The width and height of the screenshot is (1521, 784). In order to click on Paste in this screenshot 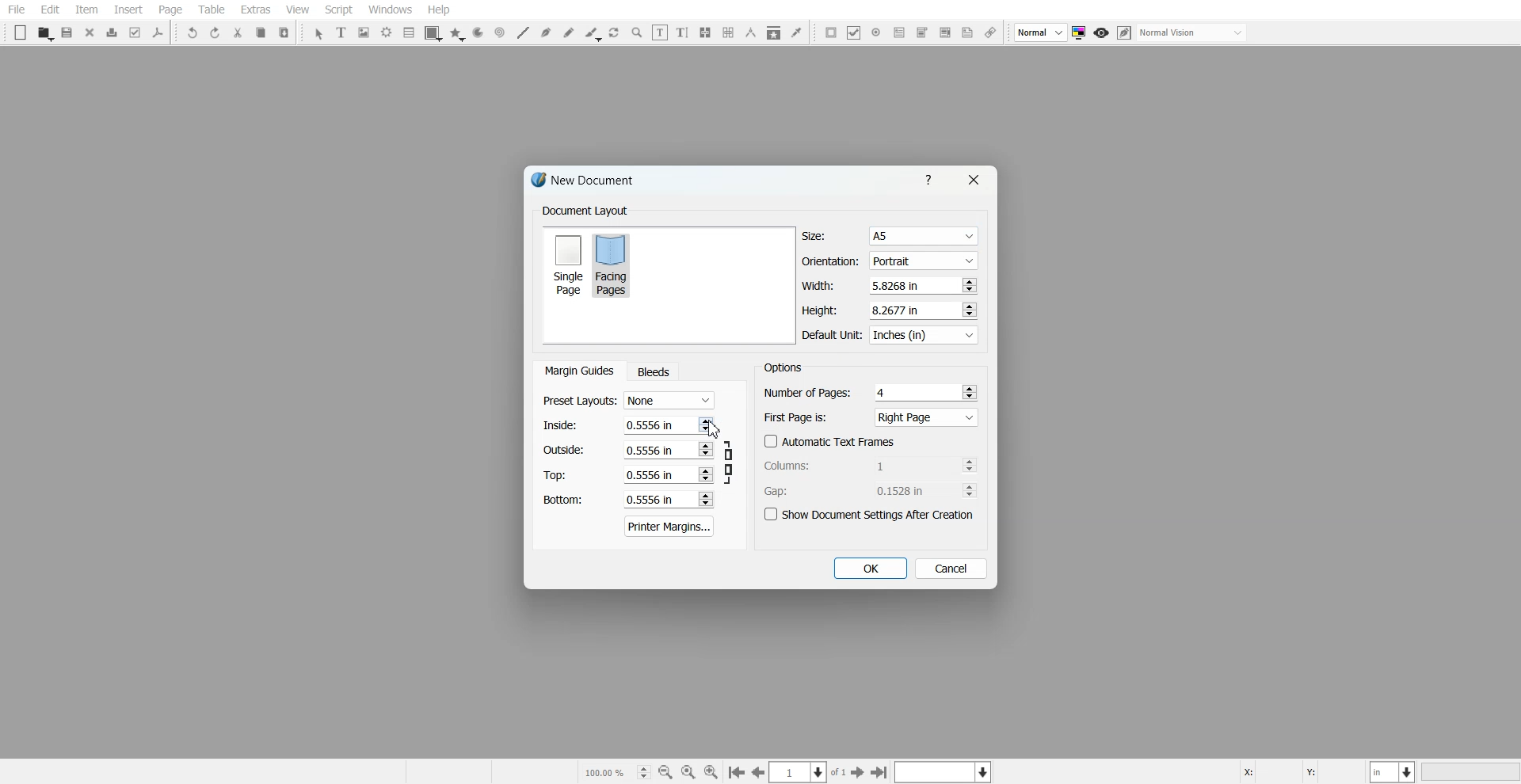, I will do `click(284, 32)`.